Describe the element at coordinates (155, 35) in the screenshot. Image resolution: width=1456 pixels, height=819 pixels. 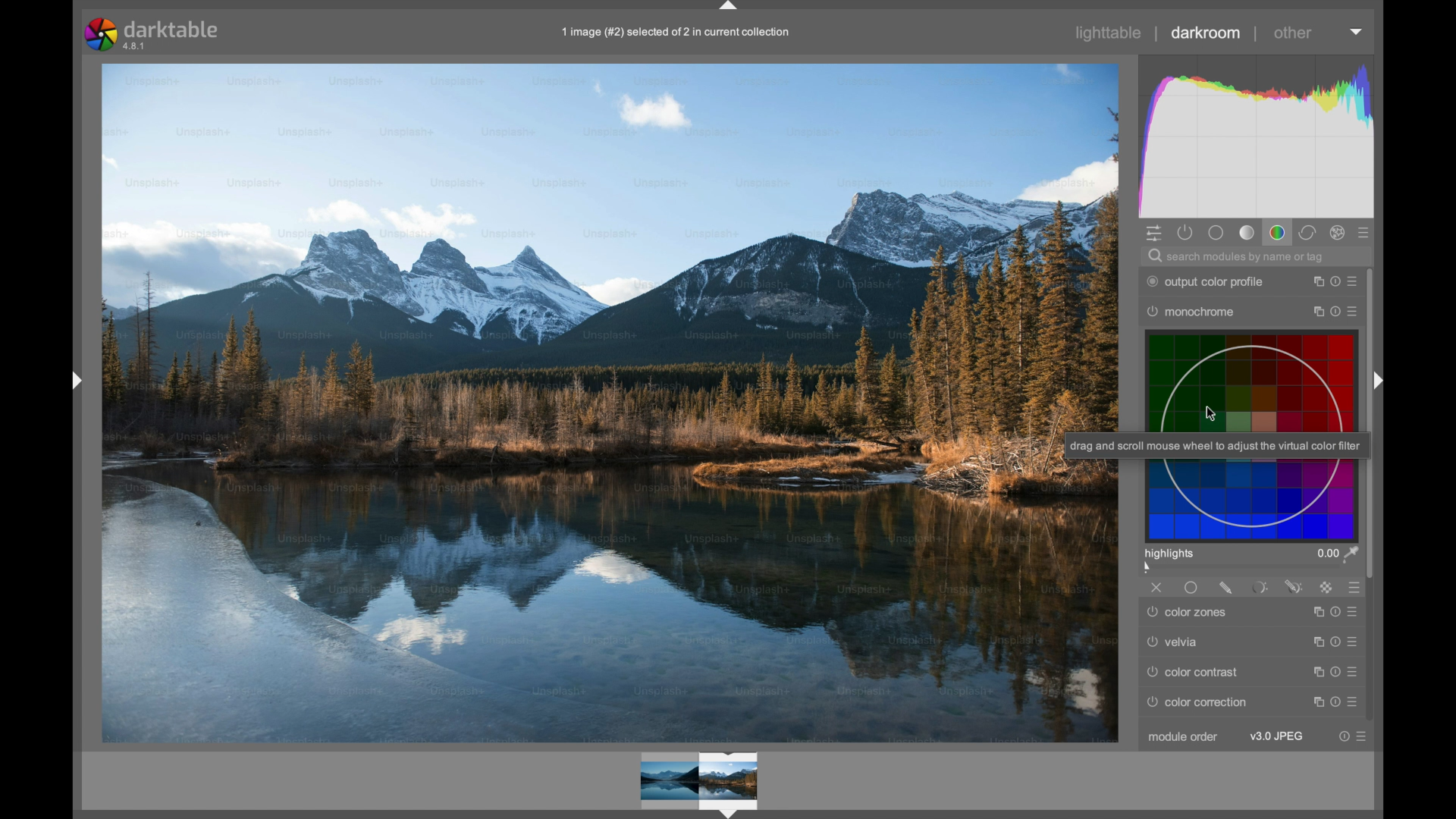
I see `darktable 4.8.1` at that location.